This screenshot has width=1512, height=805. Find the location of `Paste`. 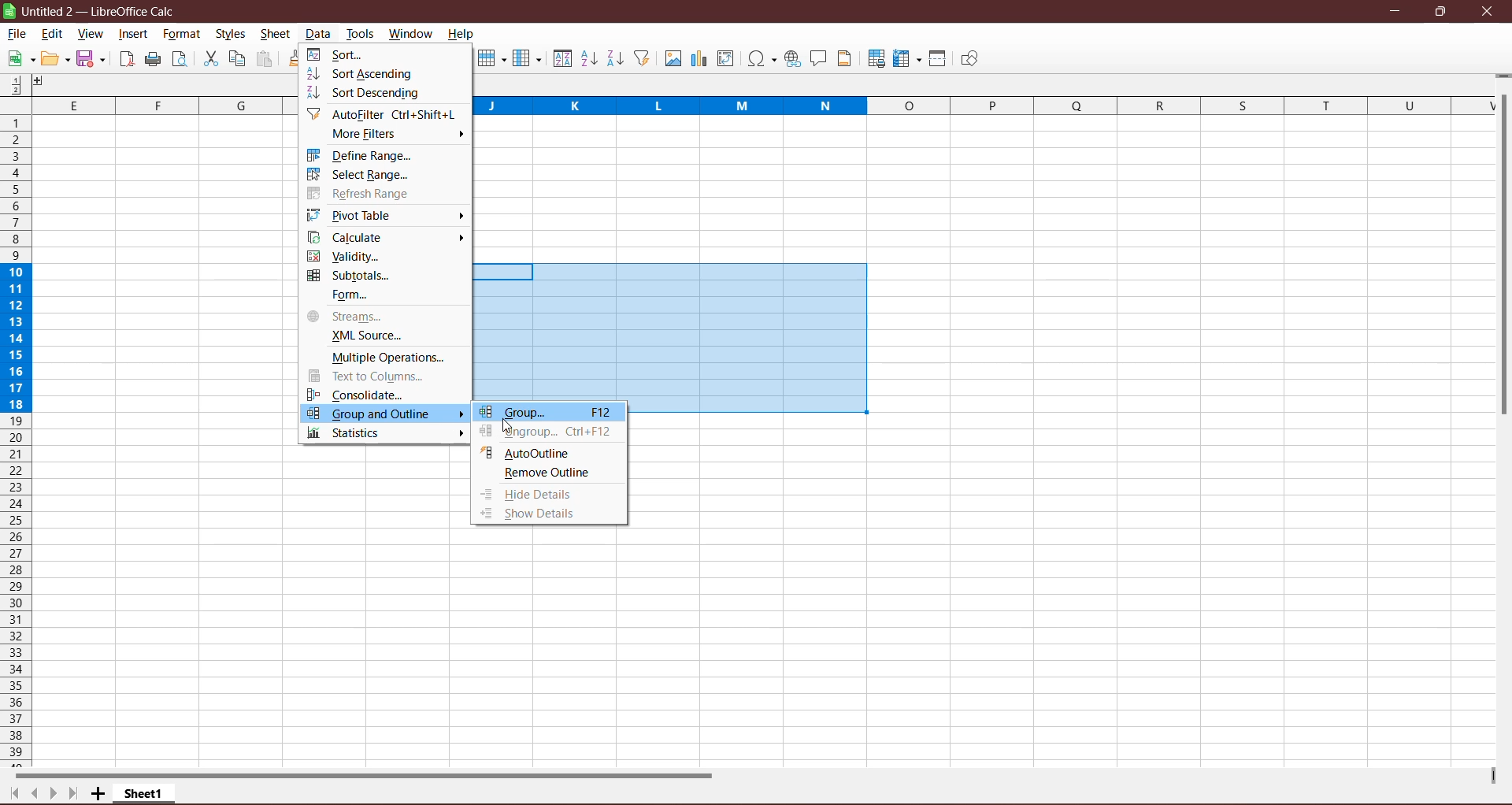

Paste is located at coordinates (265, 60).